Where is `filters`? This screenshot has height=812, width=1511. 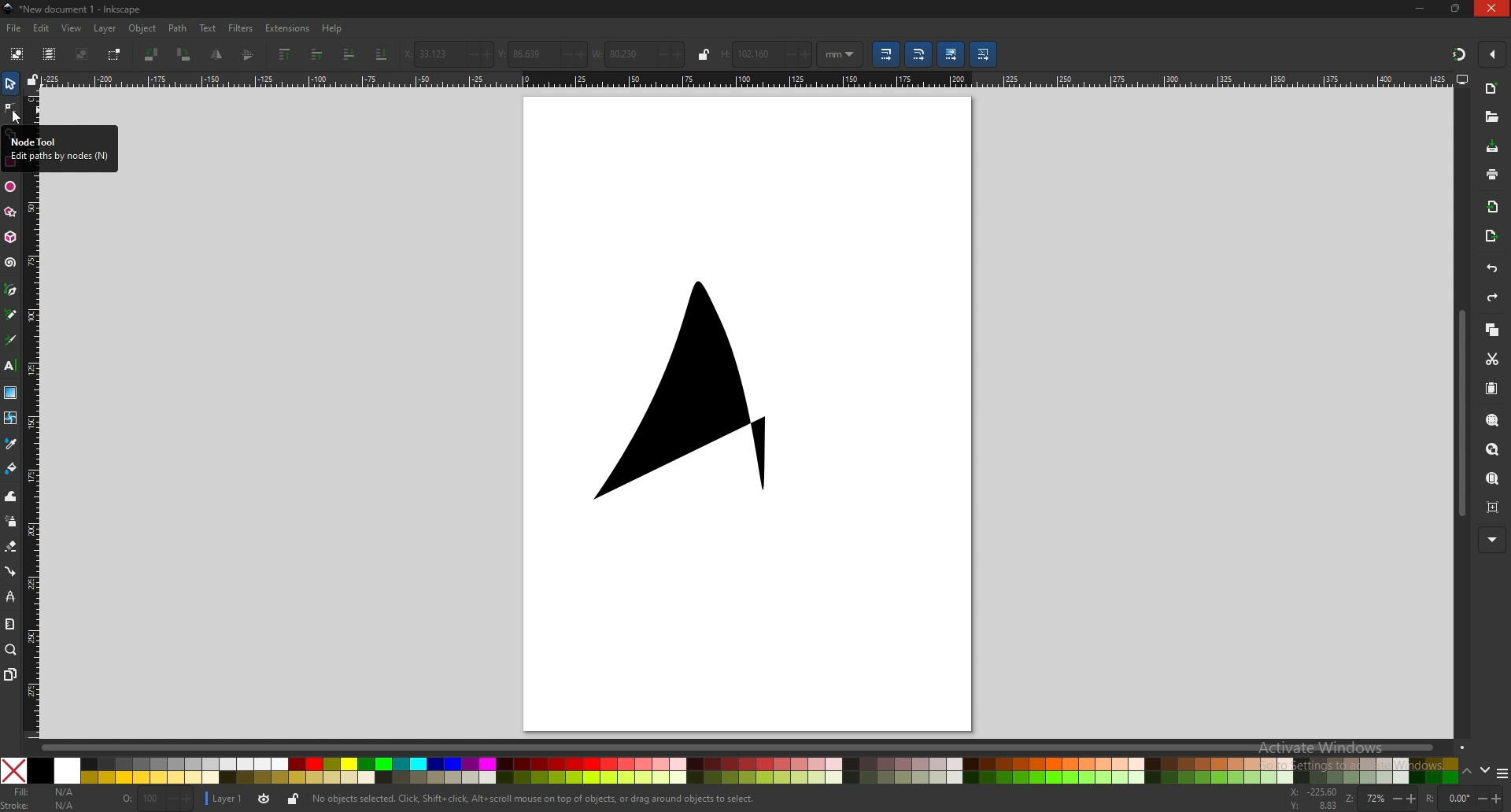 filters is located at coordinates (241, 28).